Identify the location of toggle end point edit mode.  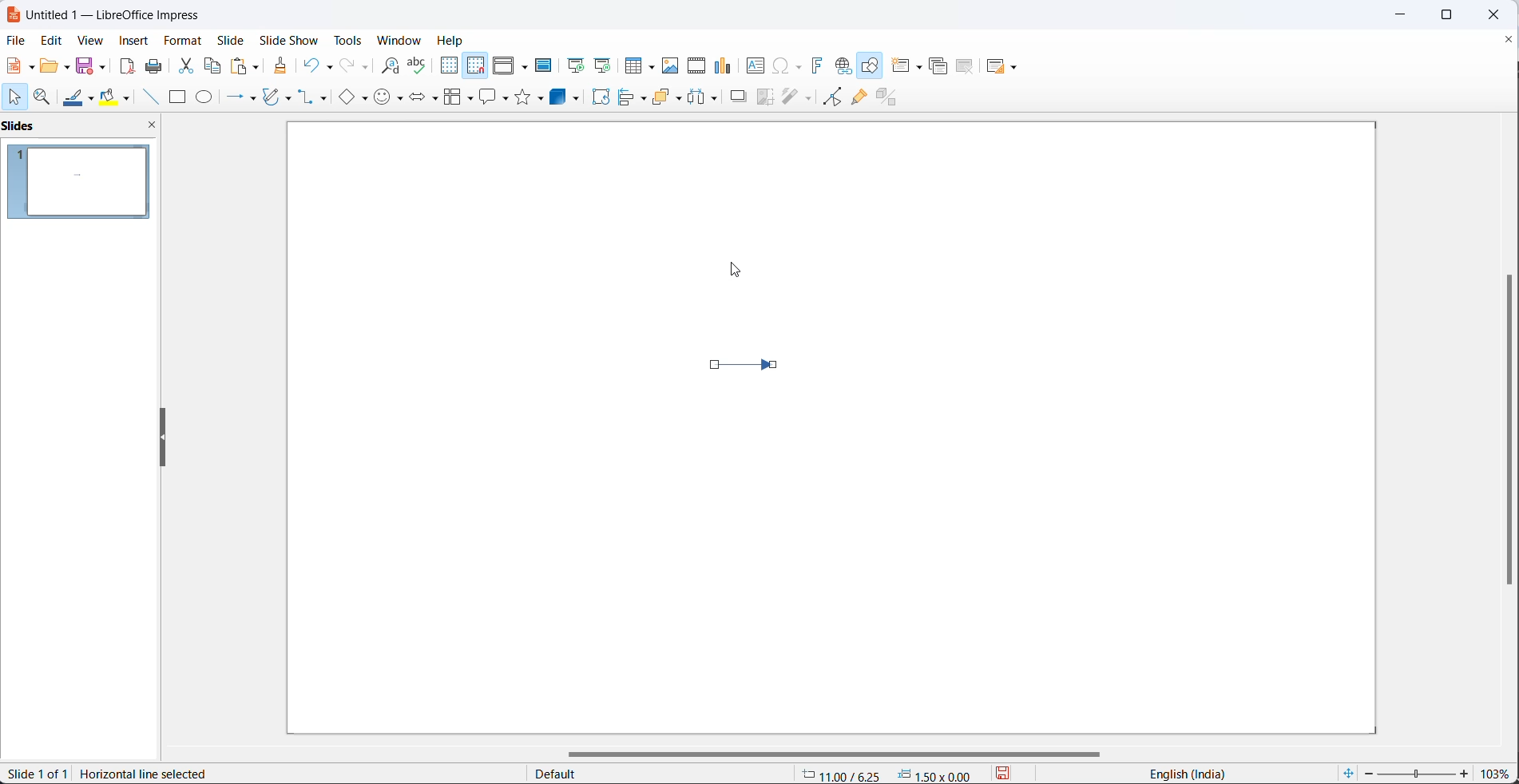
(828, 97).